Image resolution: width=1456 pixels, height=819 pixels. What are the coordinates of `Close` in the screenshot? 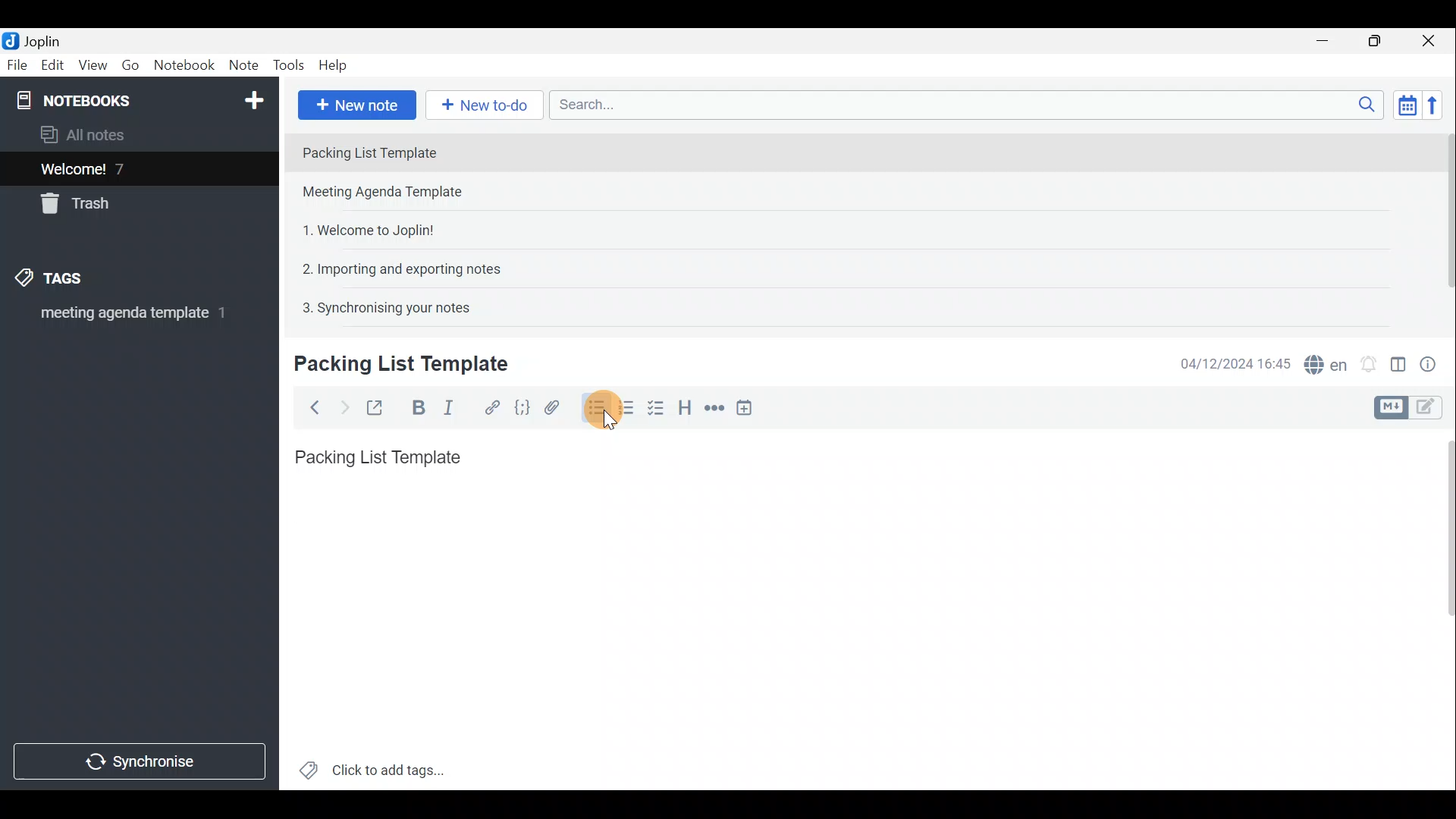 It's located at (1433, 40).